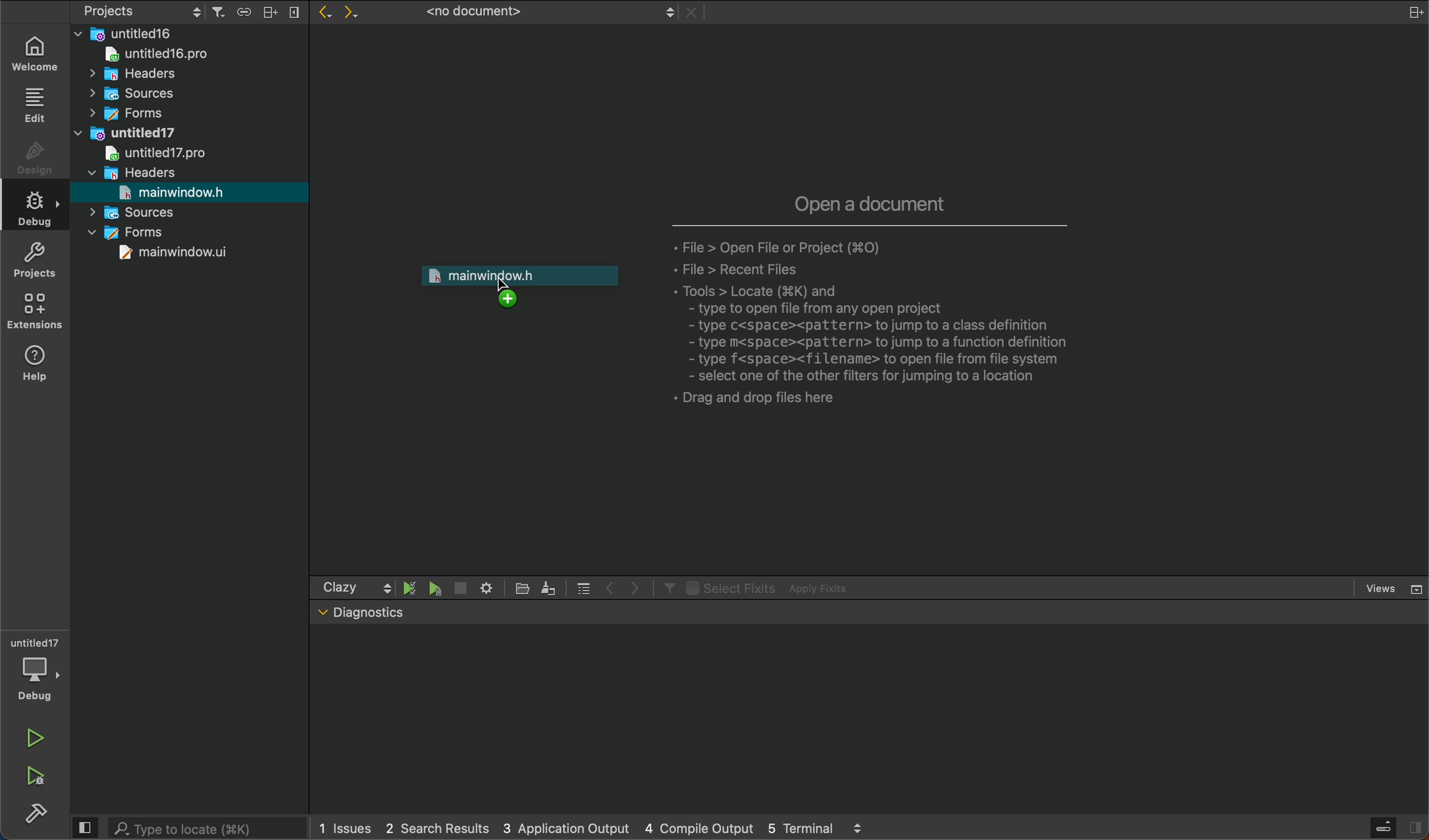 This screenshot has width=1429, height=840. What do you see at coordinates (185, 826) in the screenshot?
I see `search` at bounding box center [185, 826].